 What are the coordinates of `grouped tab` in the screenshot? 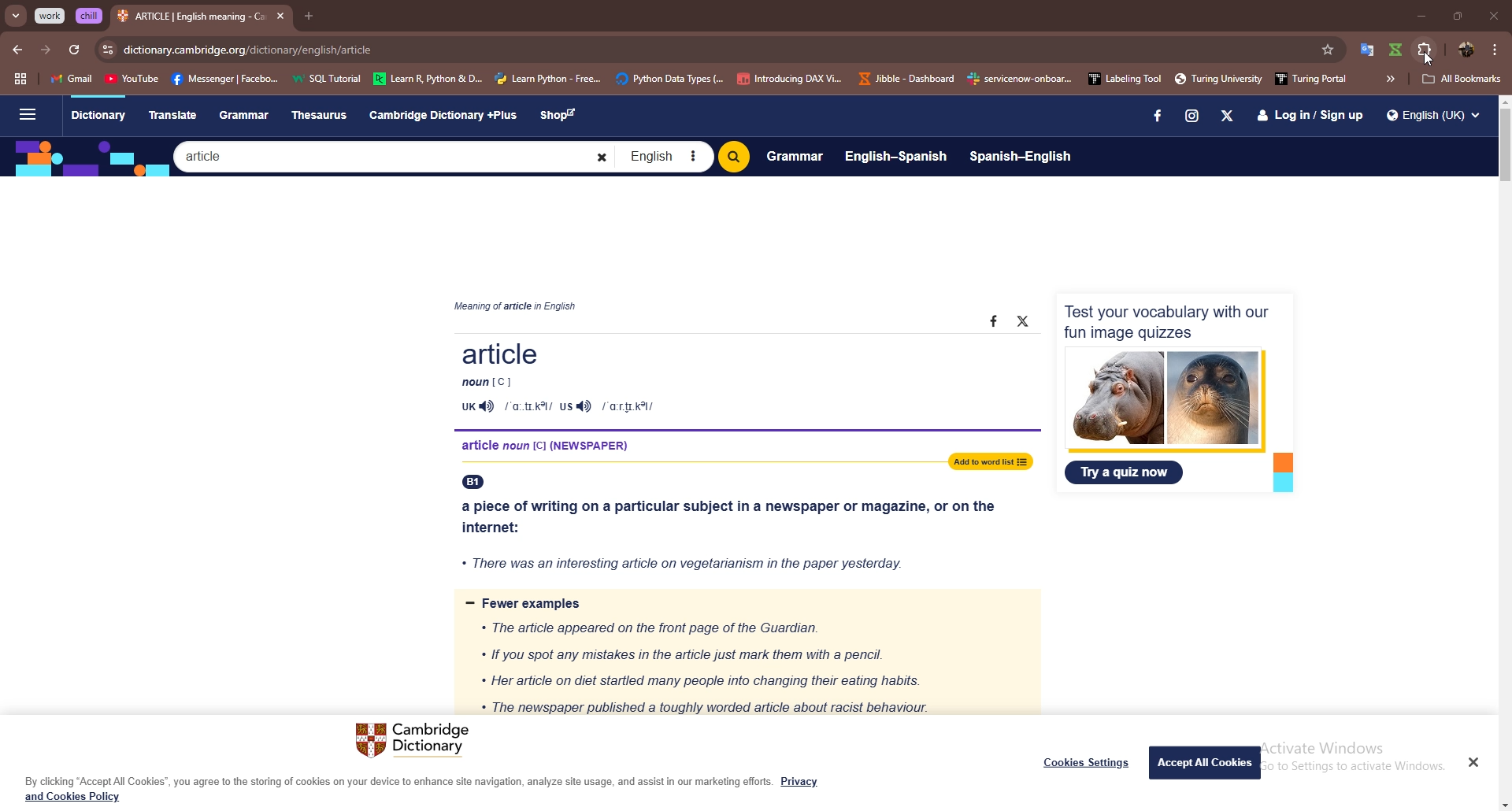 It's located at (90, 16).